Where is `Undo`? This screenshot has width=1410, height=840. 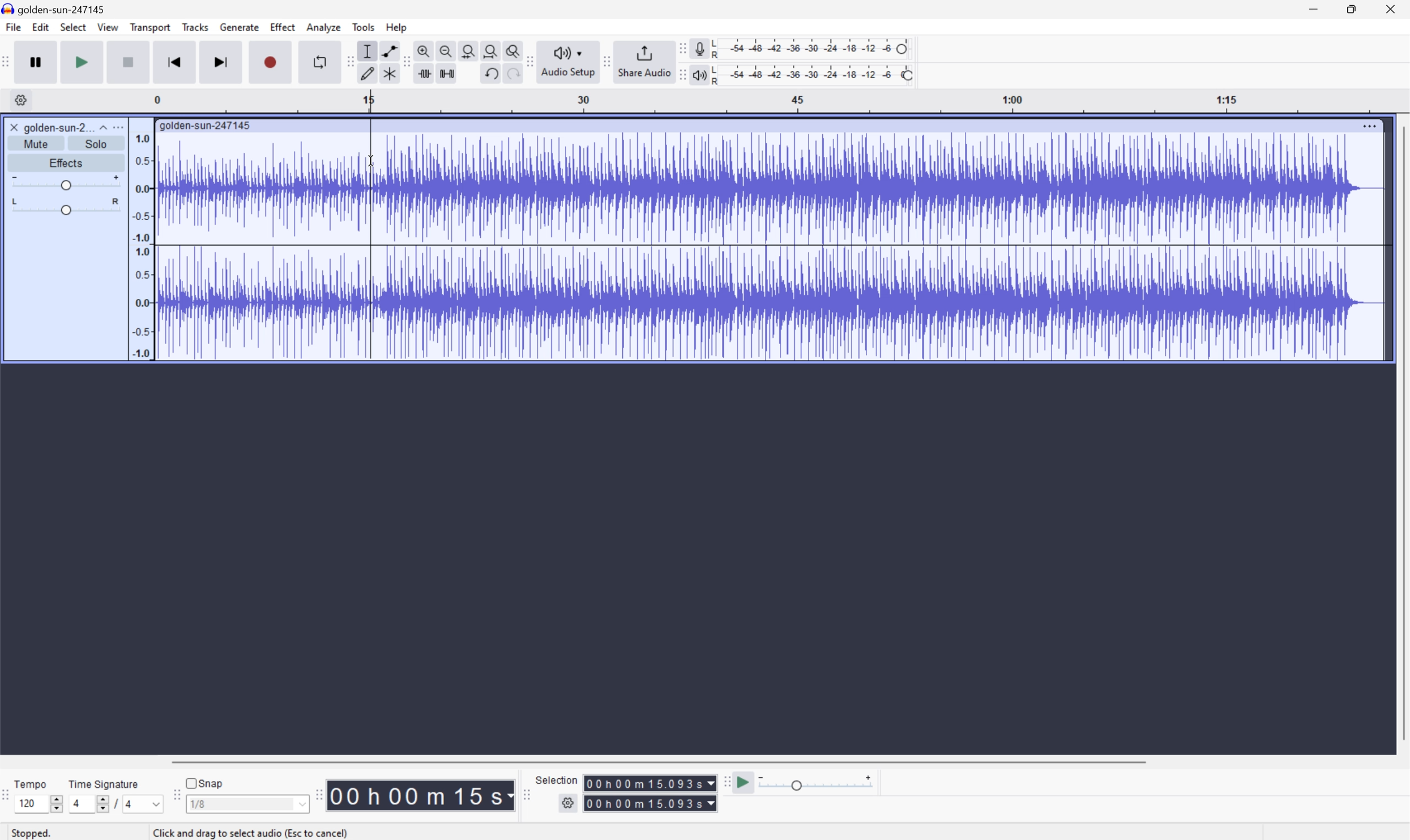
Undo is located at coordinates (489, 72).